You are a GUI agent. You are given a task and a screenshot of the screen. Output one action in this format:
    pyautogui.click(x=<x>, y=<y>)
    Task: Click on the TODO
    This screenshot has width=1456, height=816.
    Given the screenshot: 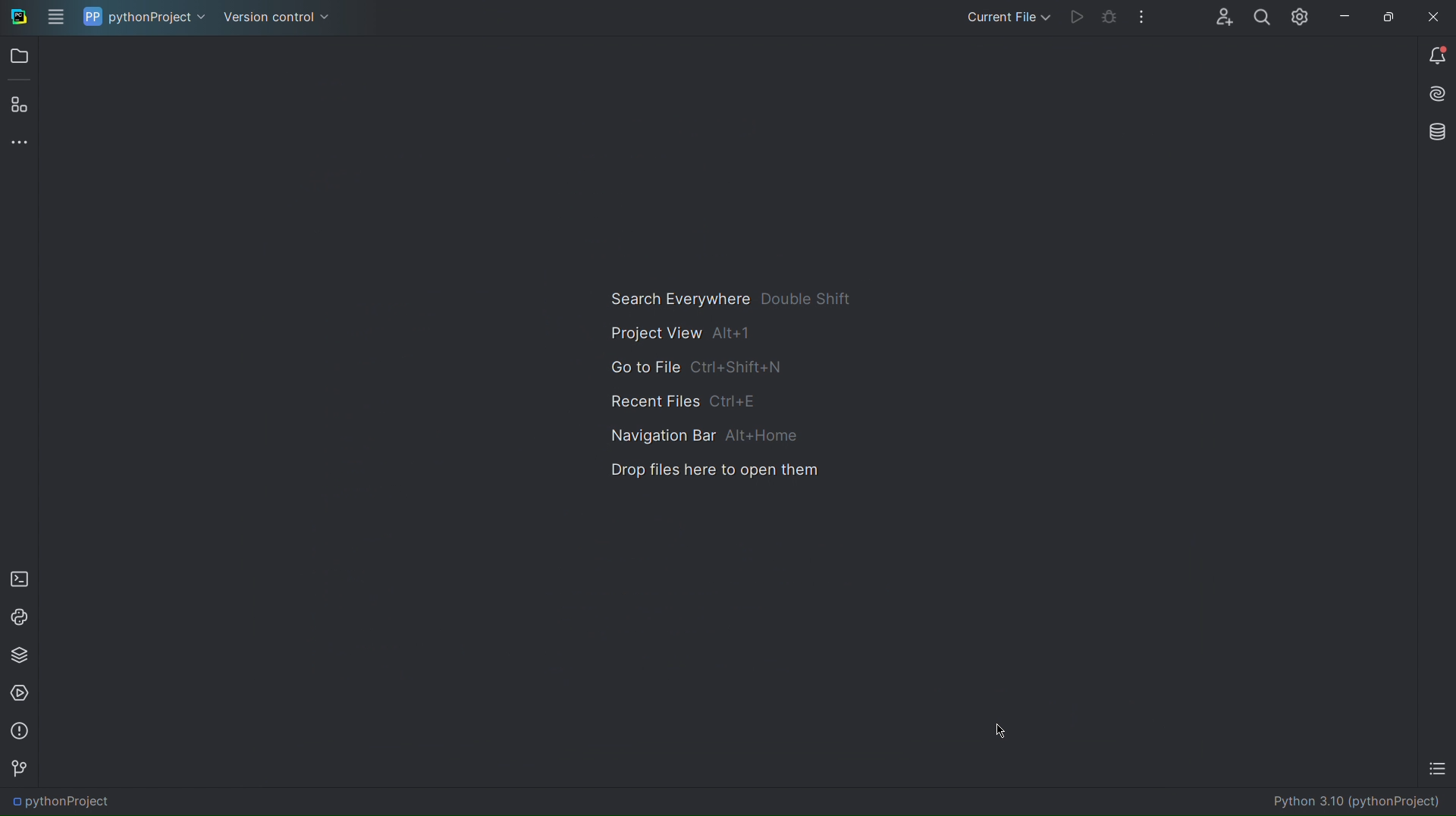 What is the action you would take?
    pyautogui.click(x=1436, y=771)
    